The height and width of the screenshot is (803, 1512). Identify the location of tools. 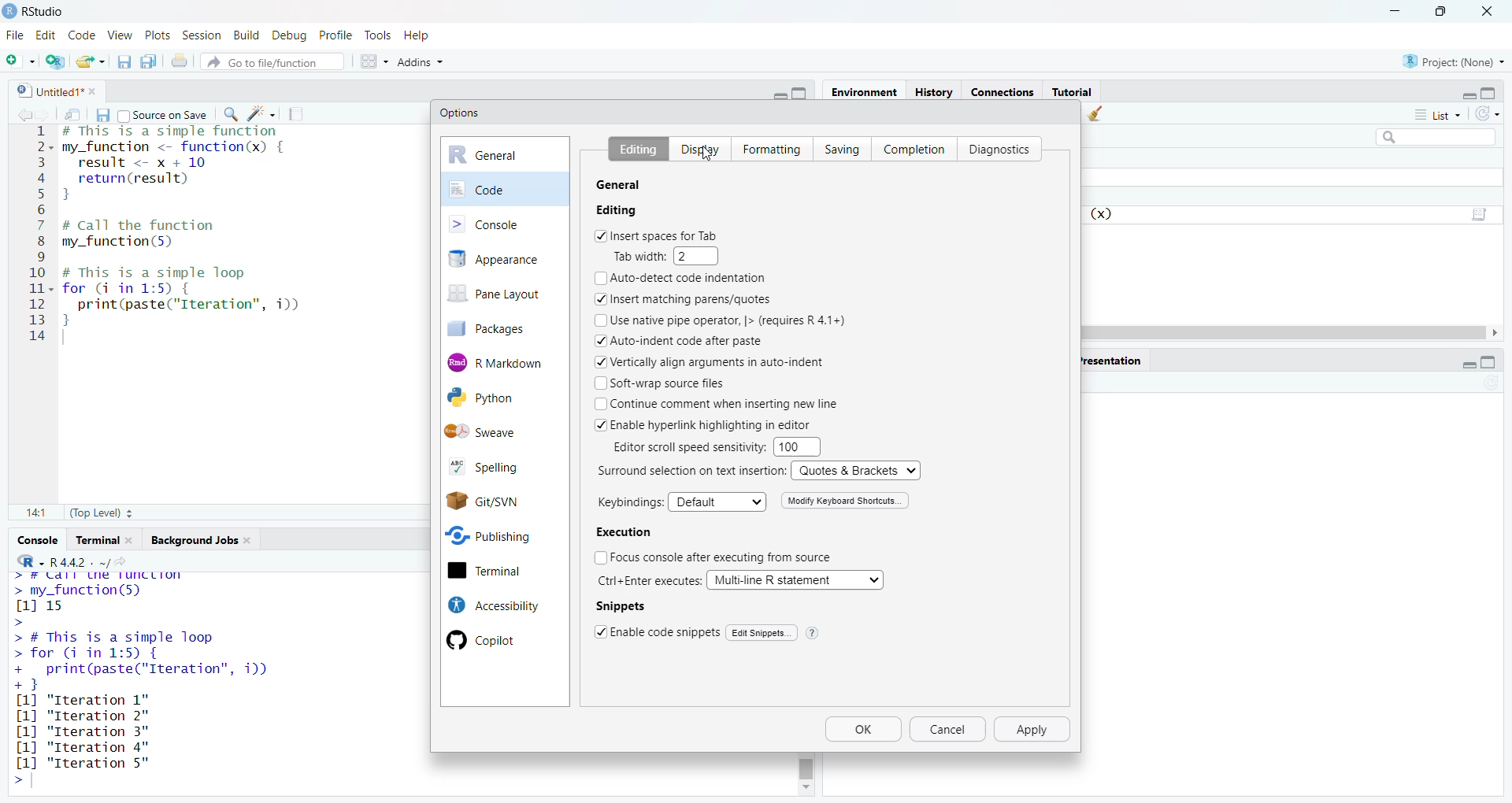
(380, 35).